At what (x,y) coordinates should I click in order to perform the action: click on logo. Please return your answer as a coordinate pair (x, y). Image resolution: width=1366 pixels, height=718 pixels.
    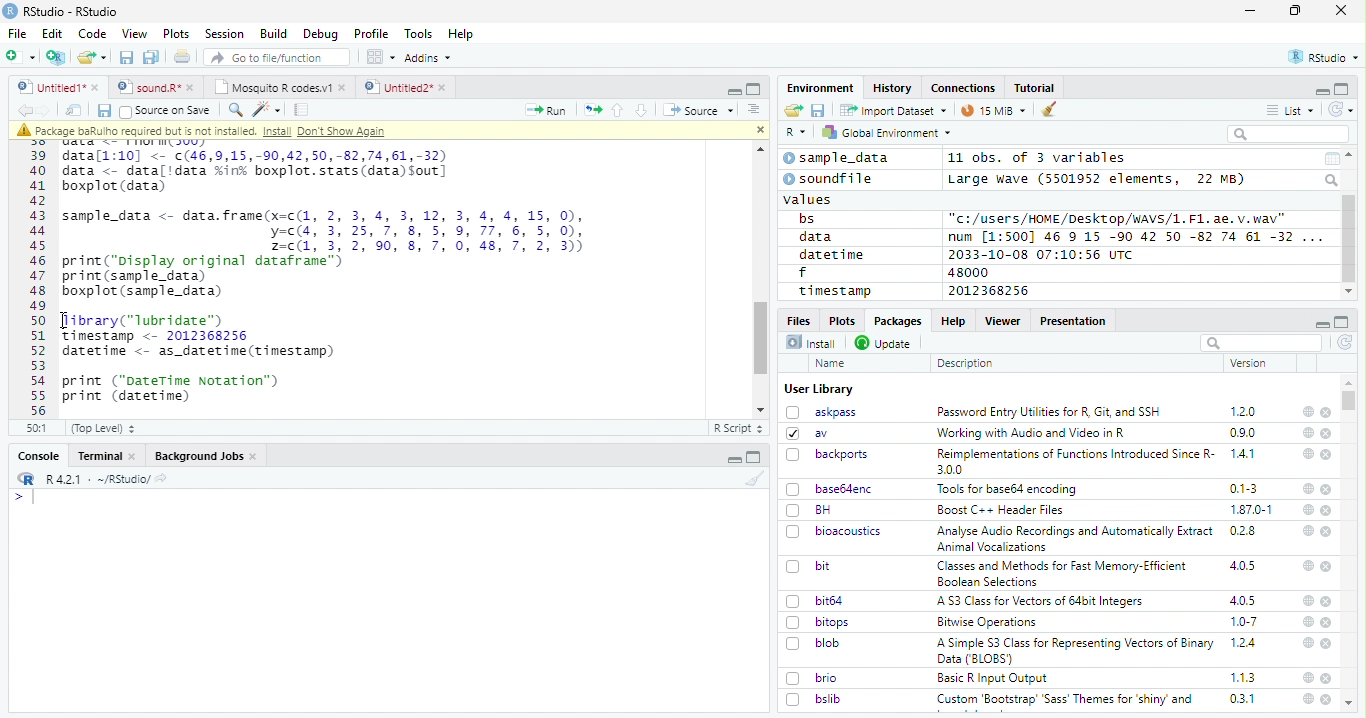
    Looking at the image, I should click on (10, 11).